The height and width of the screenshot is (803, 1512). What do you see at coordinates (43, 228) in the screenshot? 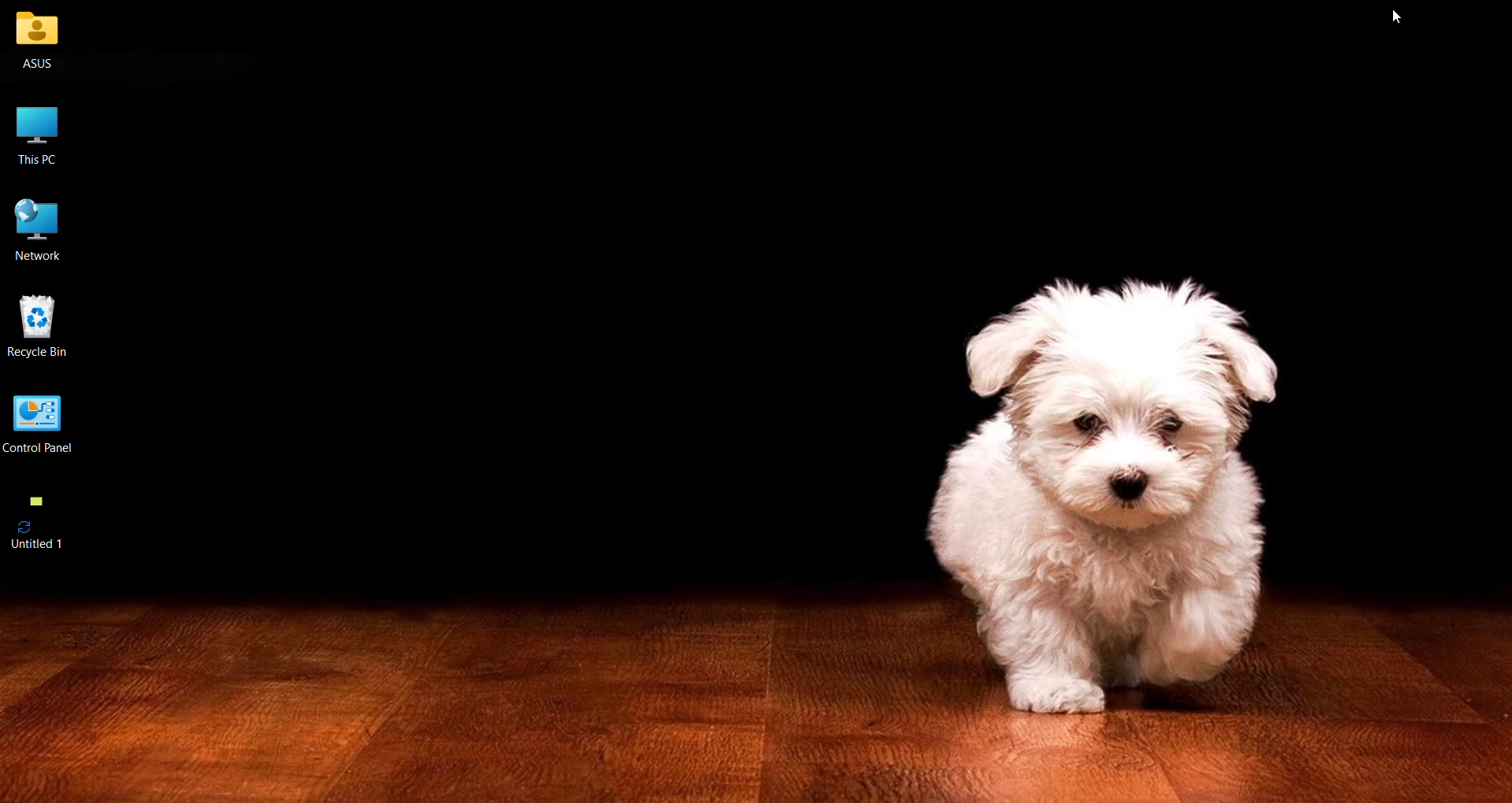
I see `network` at bounding box center [43, 228].